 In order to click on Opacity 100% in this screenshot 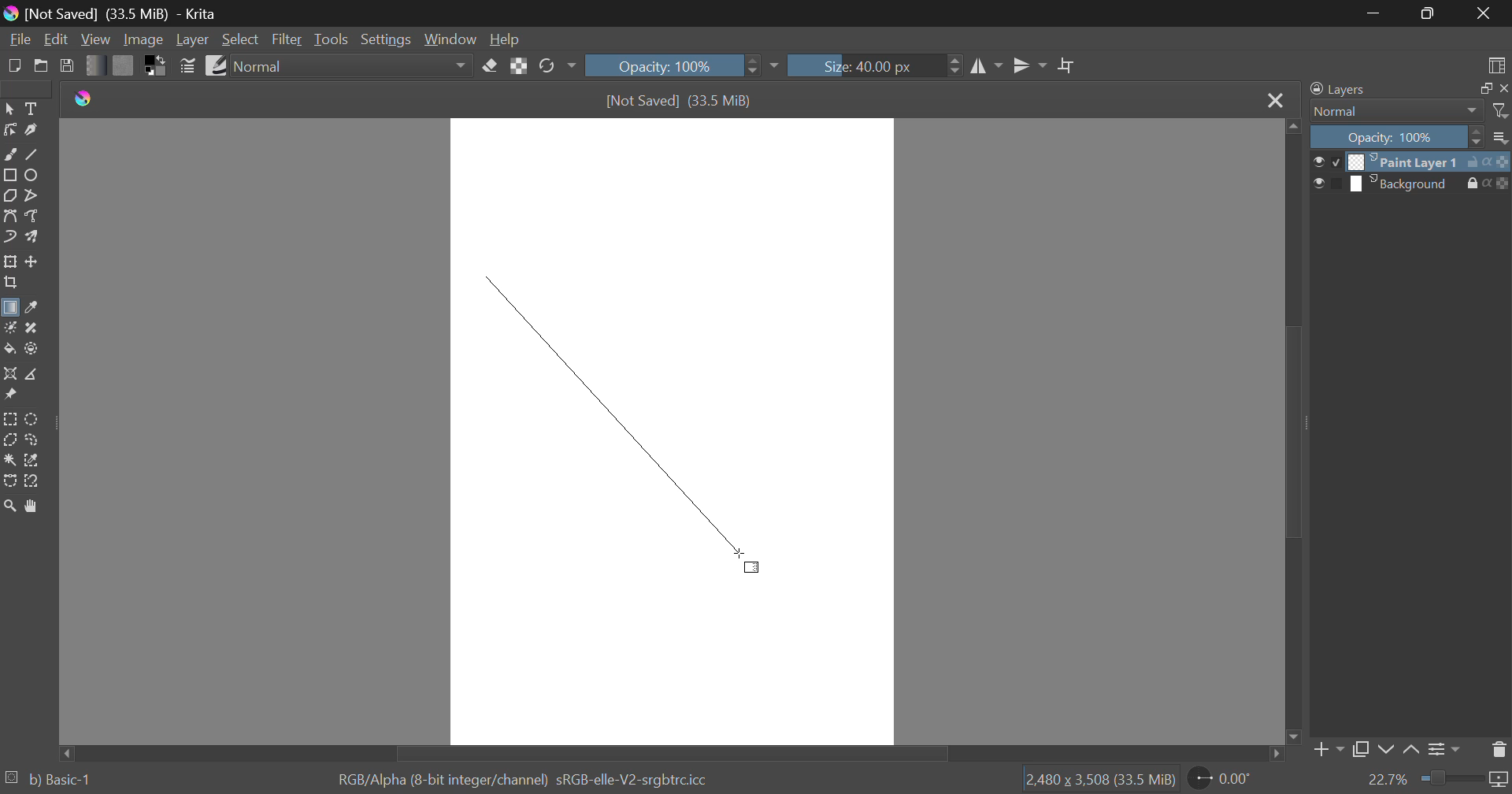, I will do `click(1395, 137)`.